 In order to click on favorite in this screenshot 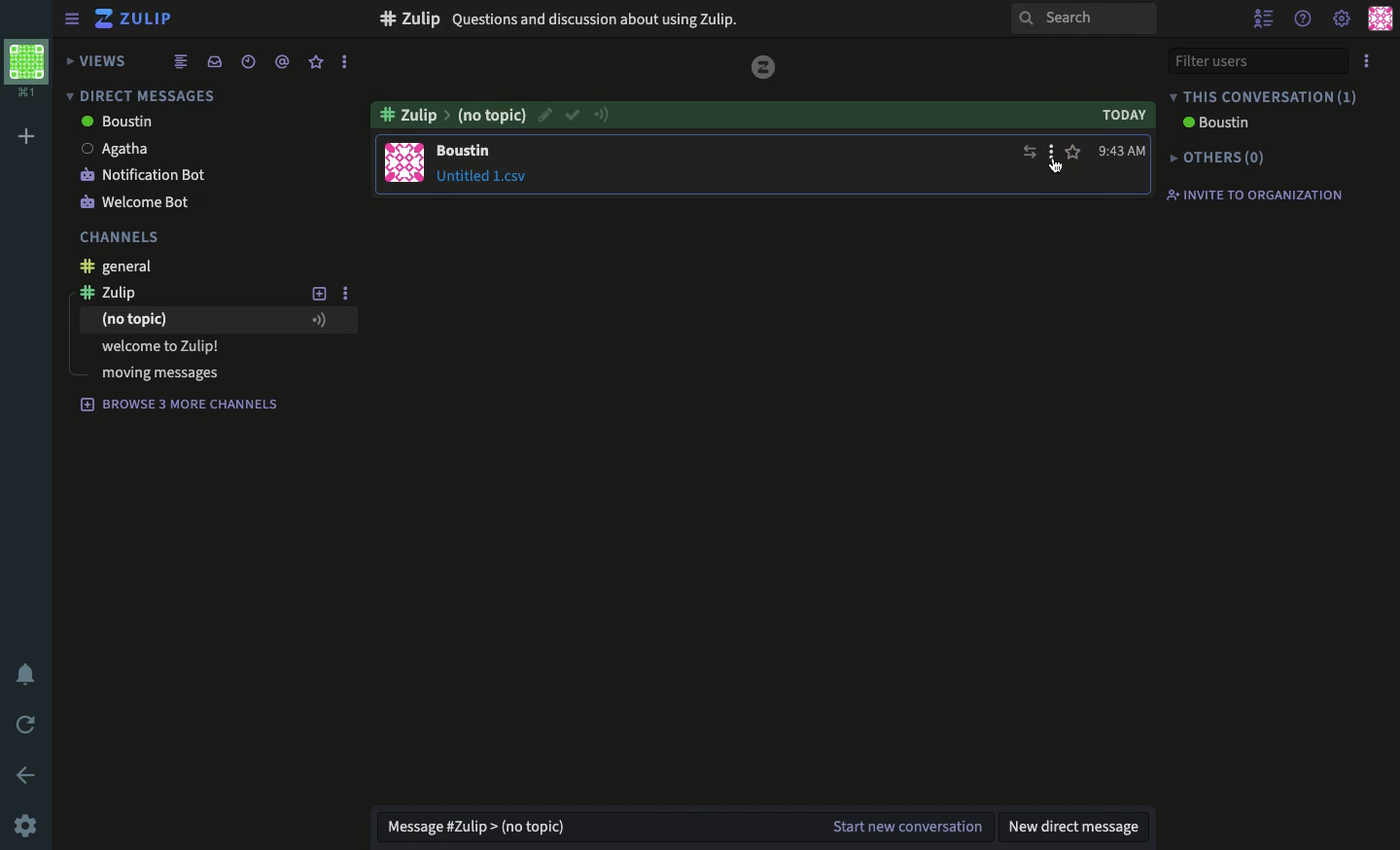, I will do `click(1071, 151)`.